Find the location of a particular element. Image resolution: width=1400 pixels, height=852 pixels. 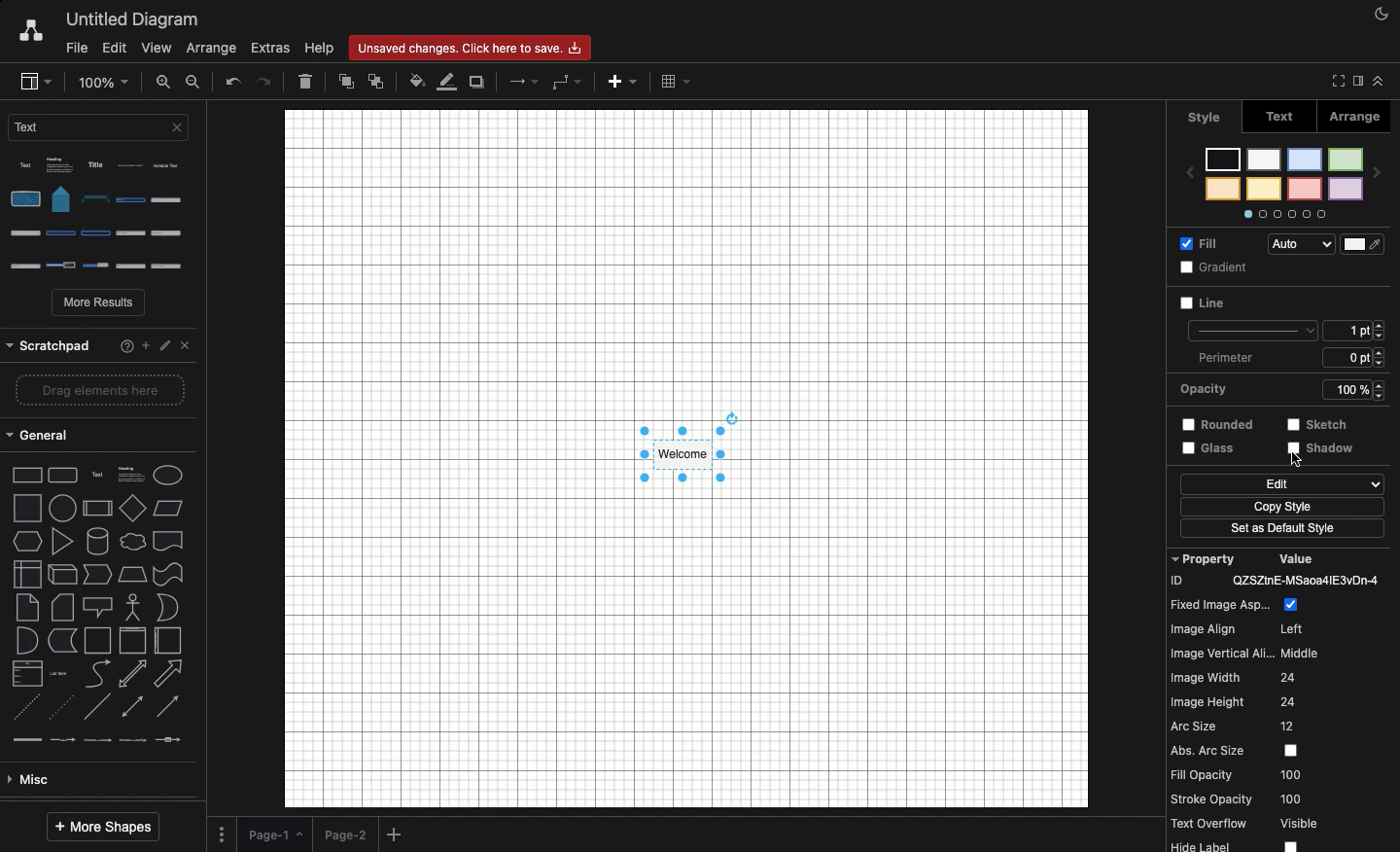

Rounded is located at coordinates (1212, 387).